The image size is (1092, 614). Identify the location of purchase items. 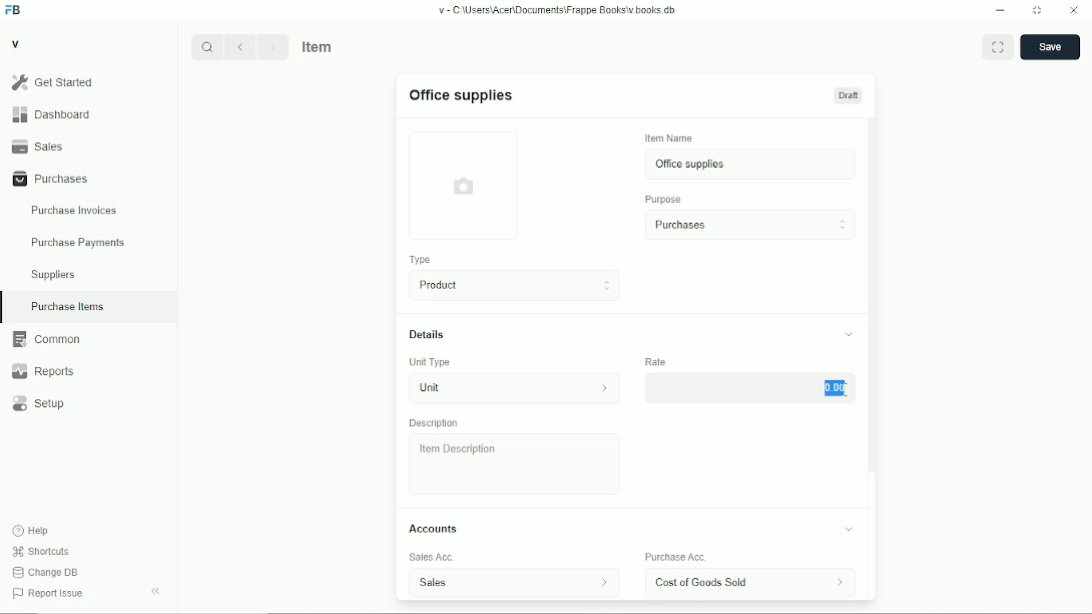
(67, 307).